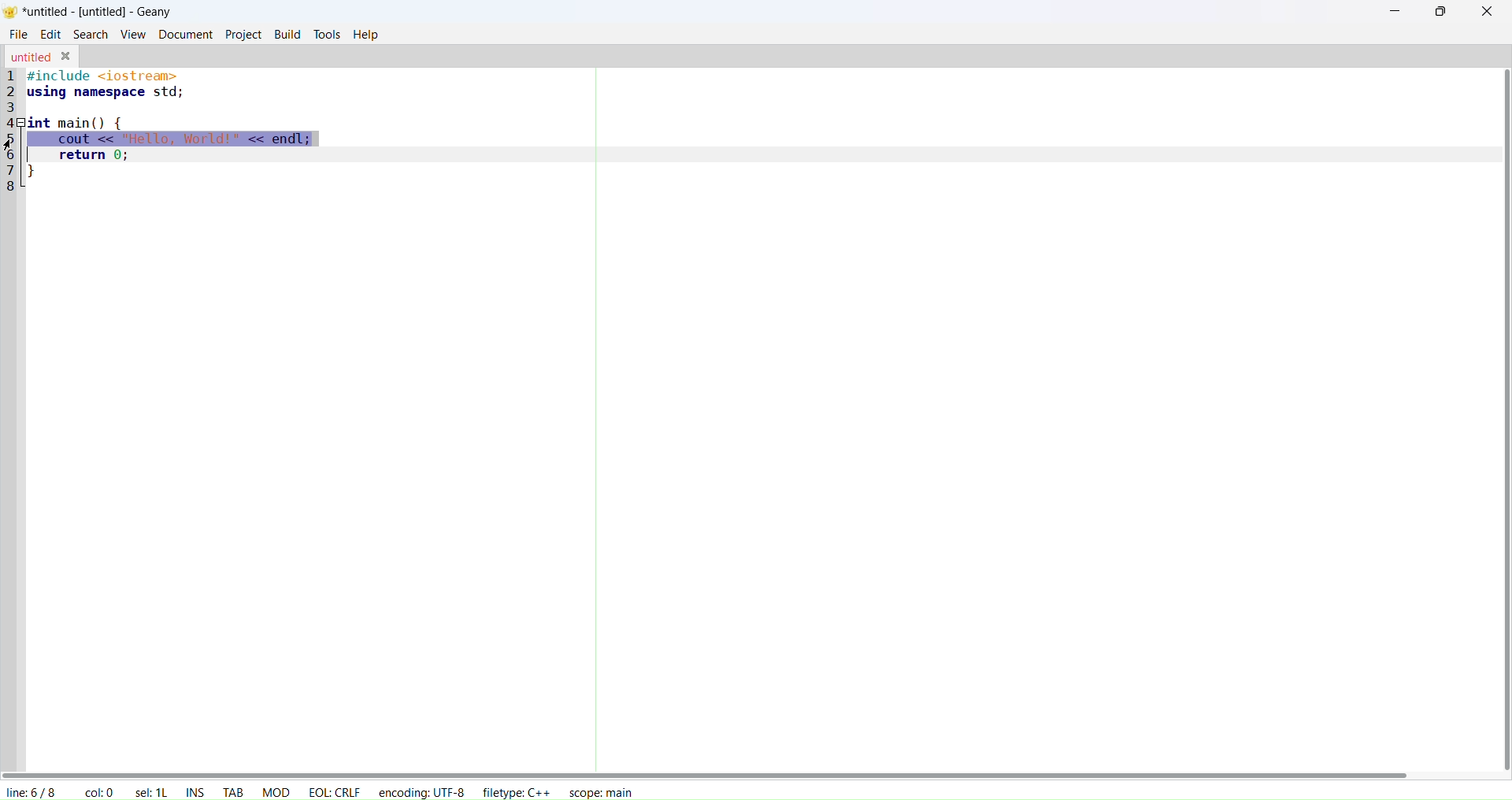 The width and height of the screenshot is (1512, 800). I want to click on 7 }, so click(36, 172).